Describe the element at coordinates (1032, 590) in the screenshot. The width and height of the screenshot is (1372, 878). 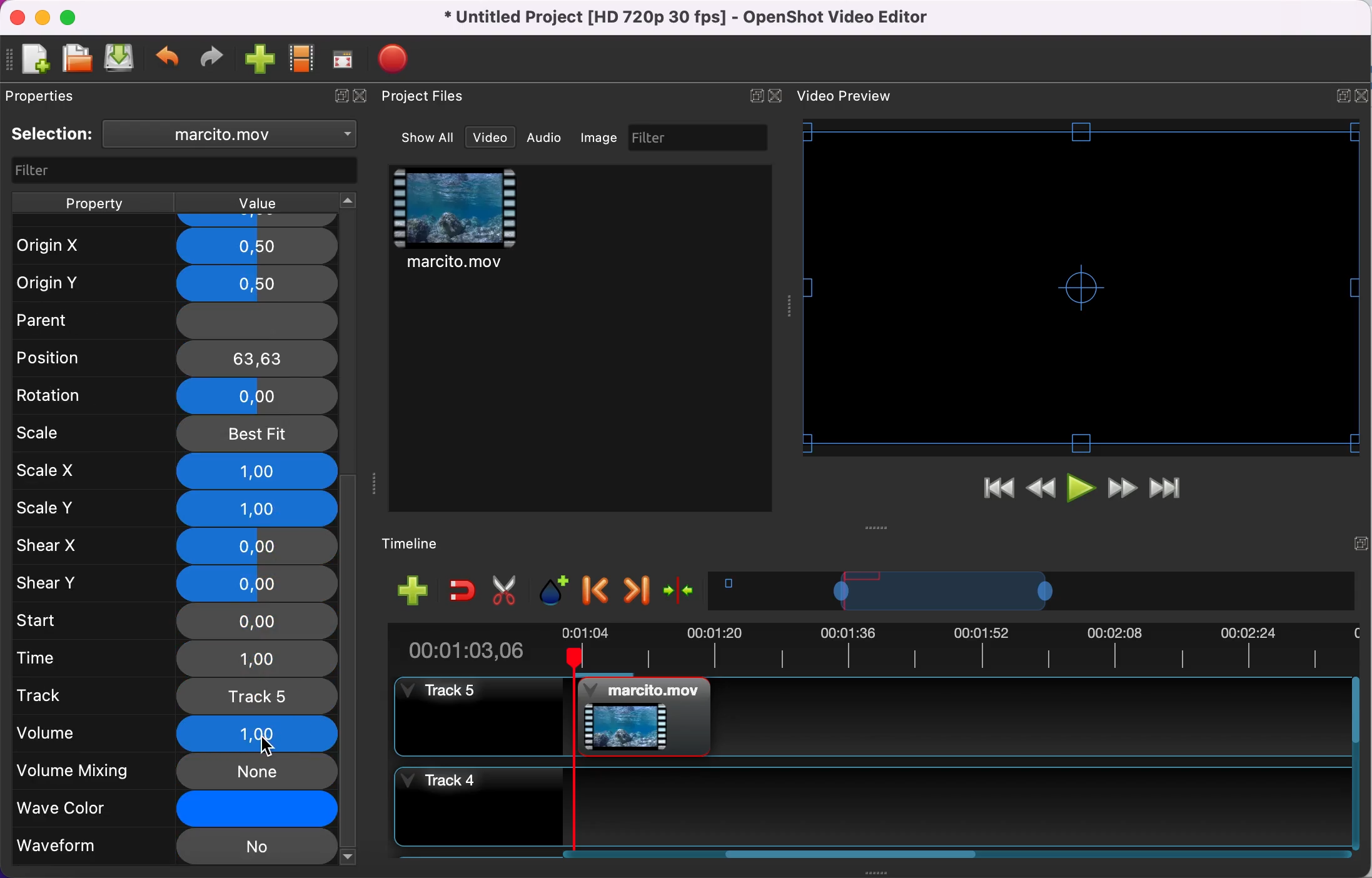
I see `timeline` at that location.